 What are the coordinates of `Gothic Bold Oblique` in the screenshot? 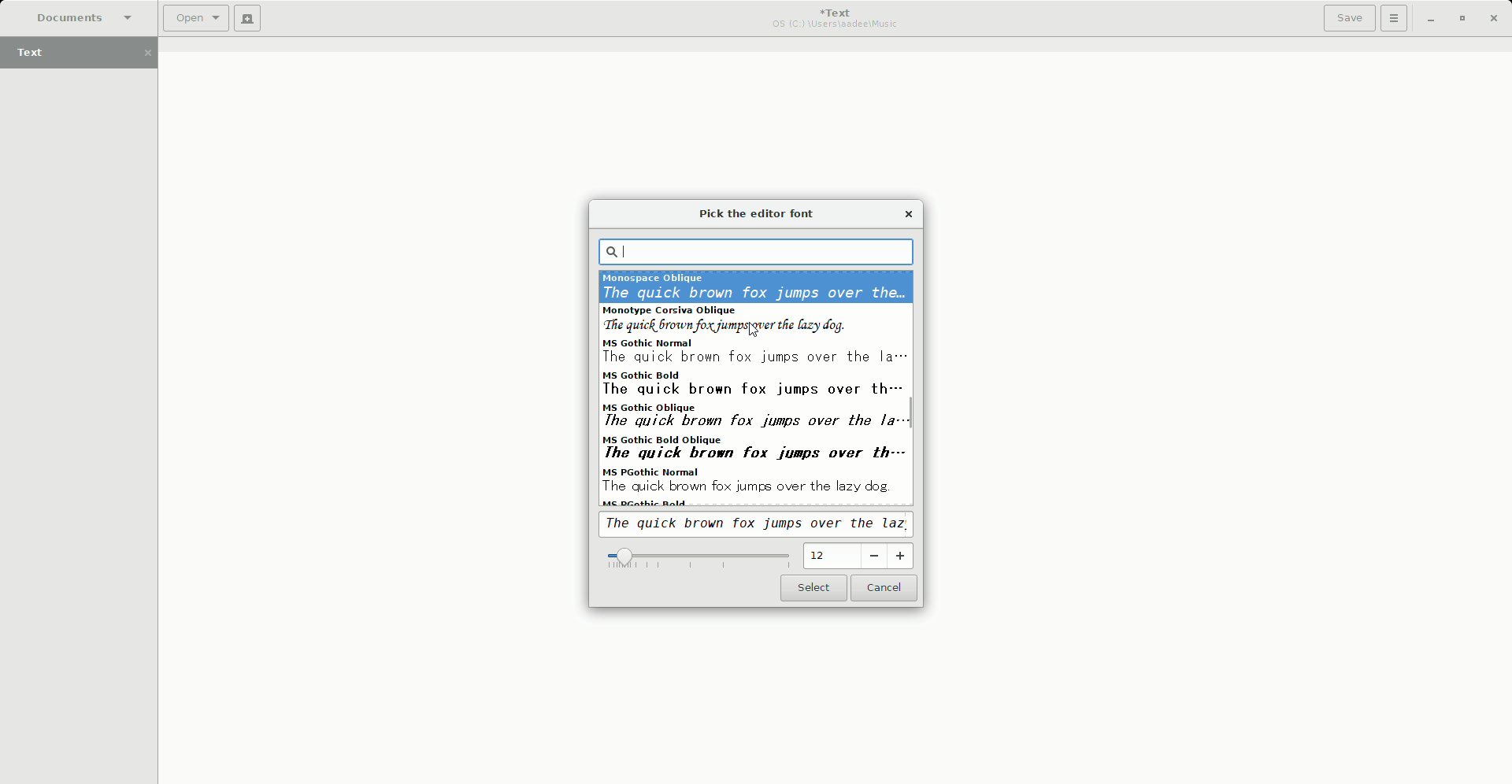 It's located at (754, 450).